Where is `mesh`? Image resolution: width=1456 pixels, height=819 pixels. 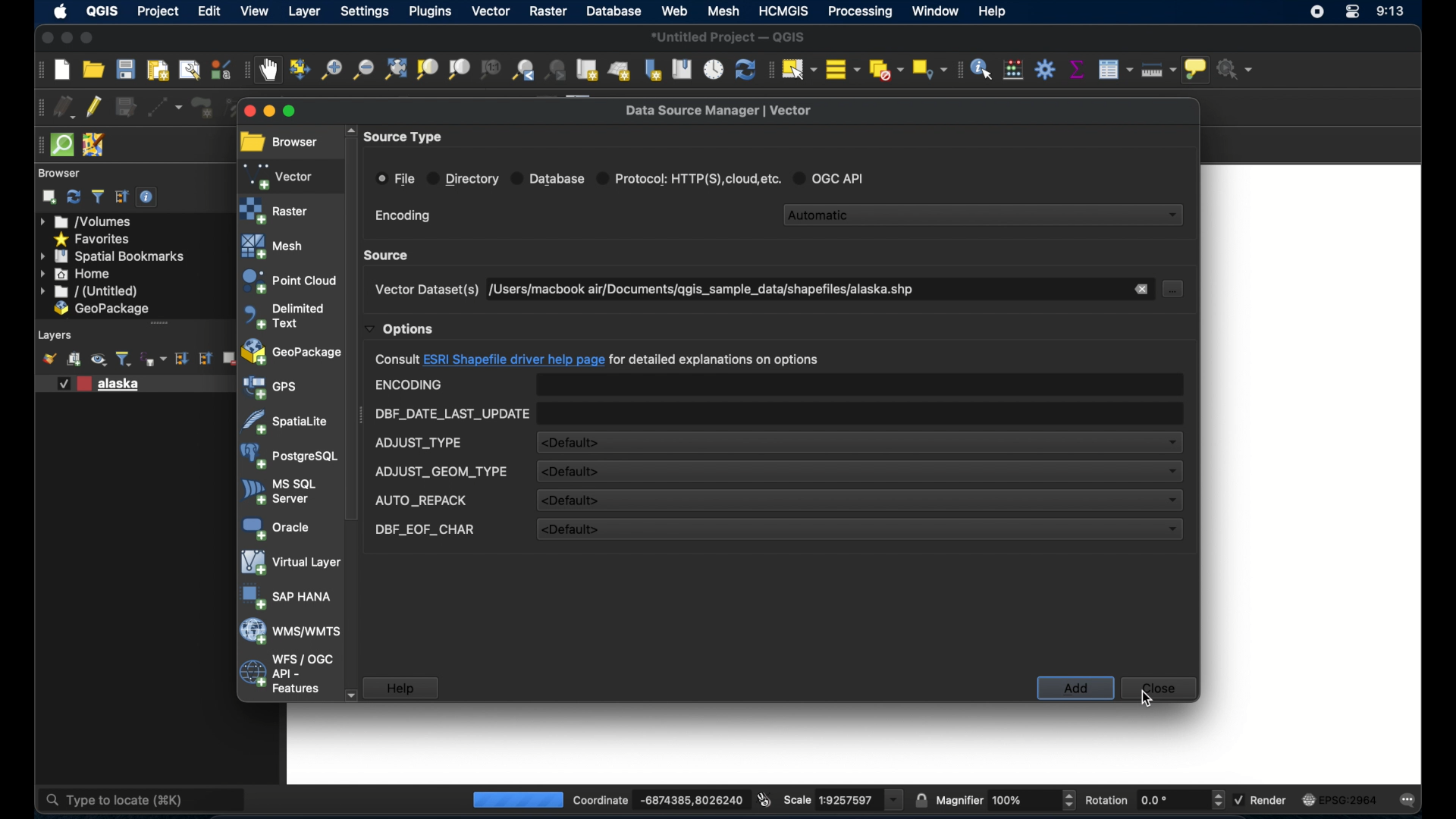
mesh is located at coordinates (724, 11).